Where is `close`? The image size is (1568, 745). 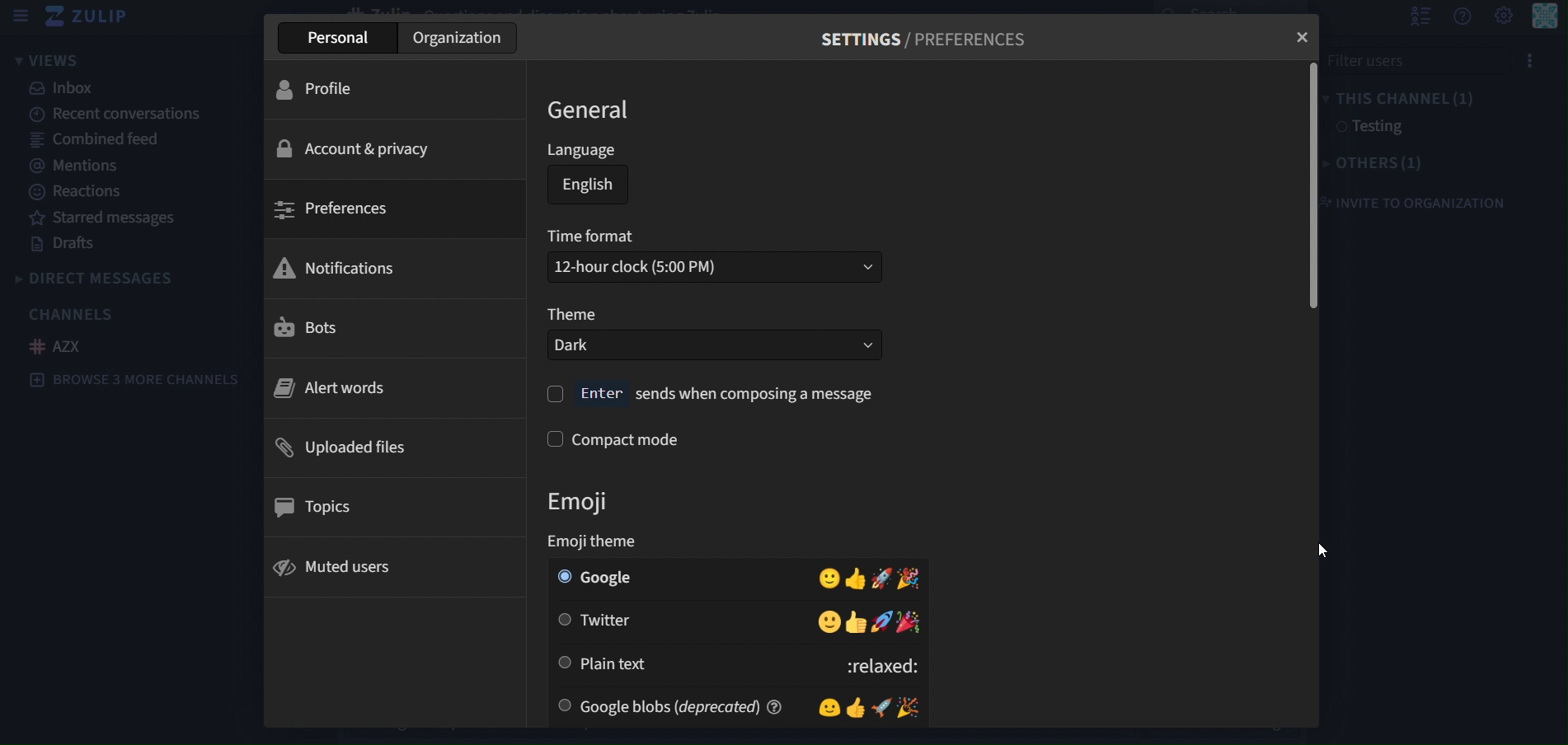
close is located at coordinates (1305, 35).